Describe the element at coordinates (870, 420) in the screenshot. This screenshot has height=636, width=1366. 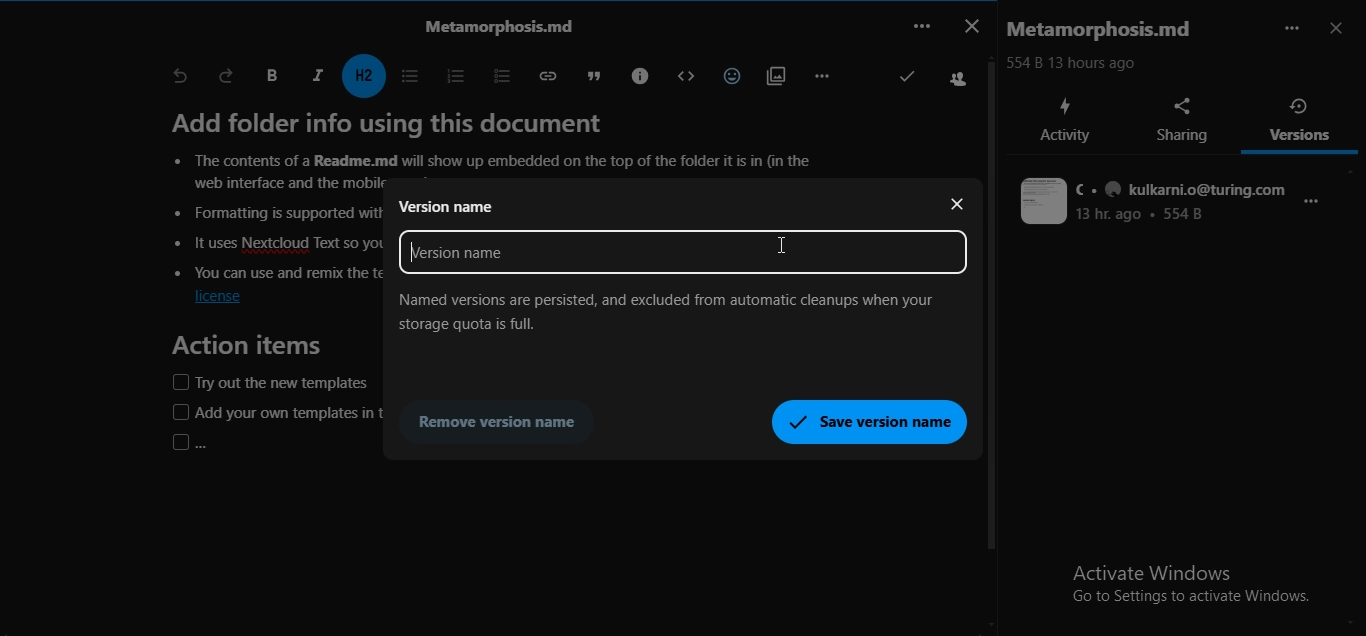
I see `save version name` at that location.